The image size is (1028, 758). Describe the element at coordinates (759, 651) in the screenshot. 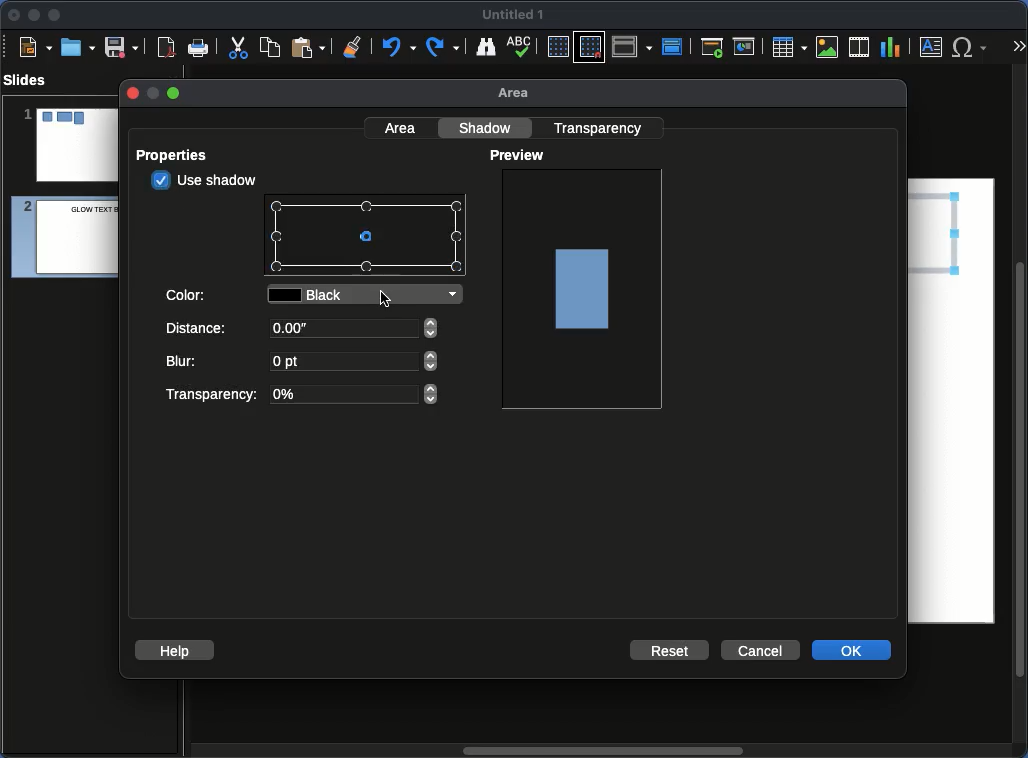

I see `Cancel` at that location.